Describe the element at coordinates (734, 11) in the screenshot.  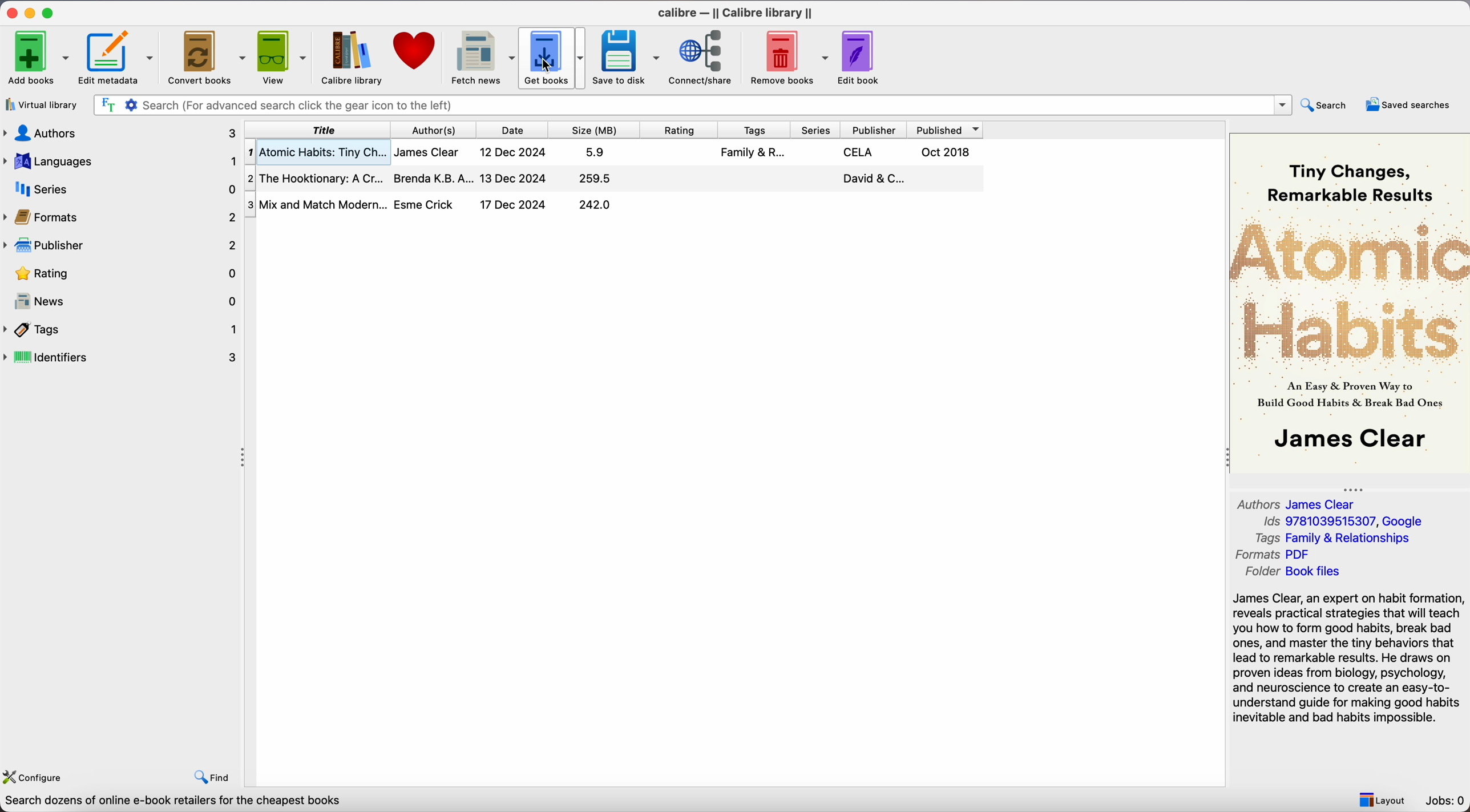
I see `Calibre - || Calibre library ||` at that location.